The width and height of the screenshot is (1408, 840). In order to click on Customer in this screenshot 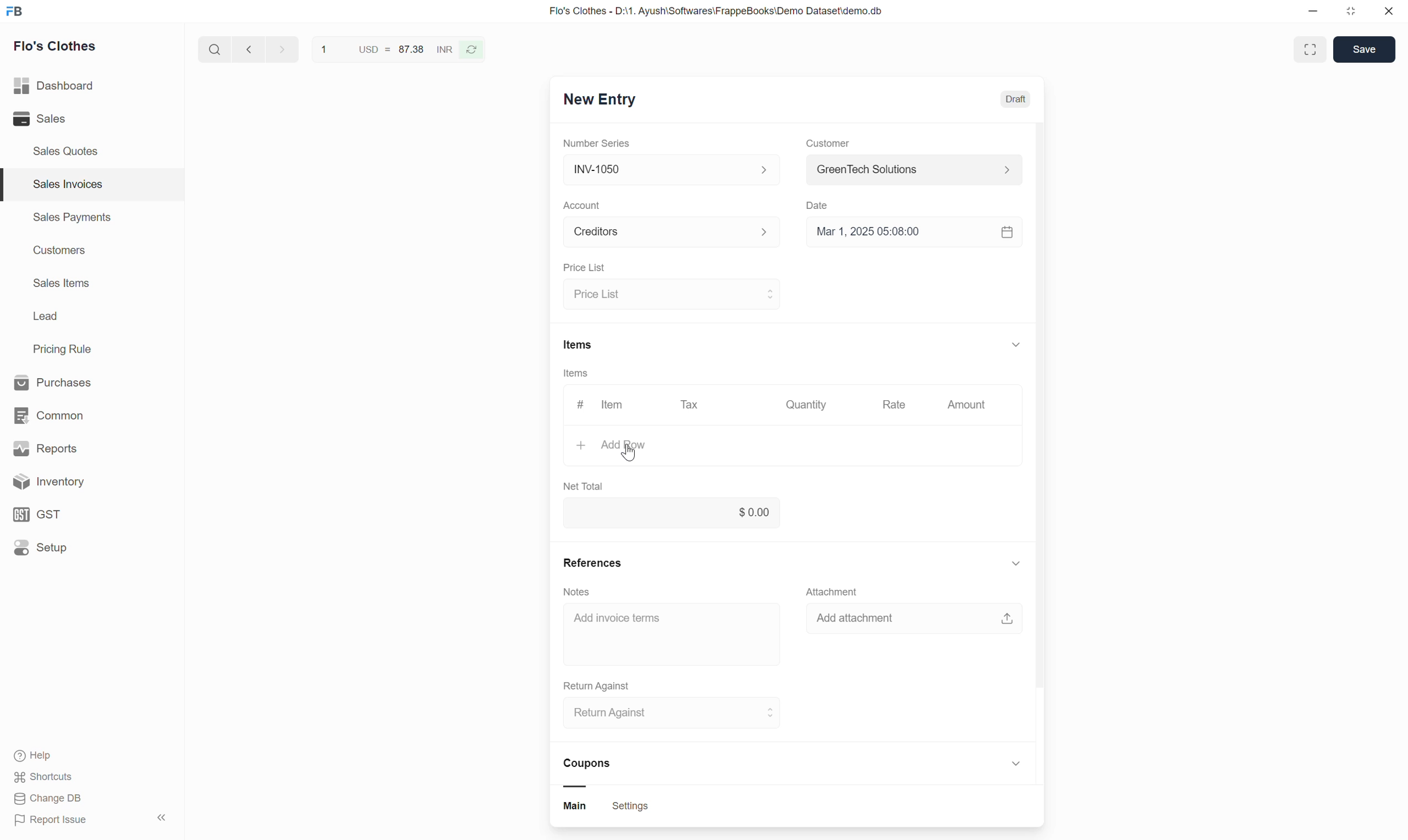, I will do `click(827, 144)`.